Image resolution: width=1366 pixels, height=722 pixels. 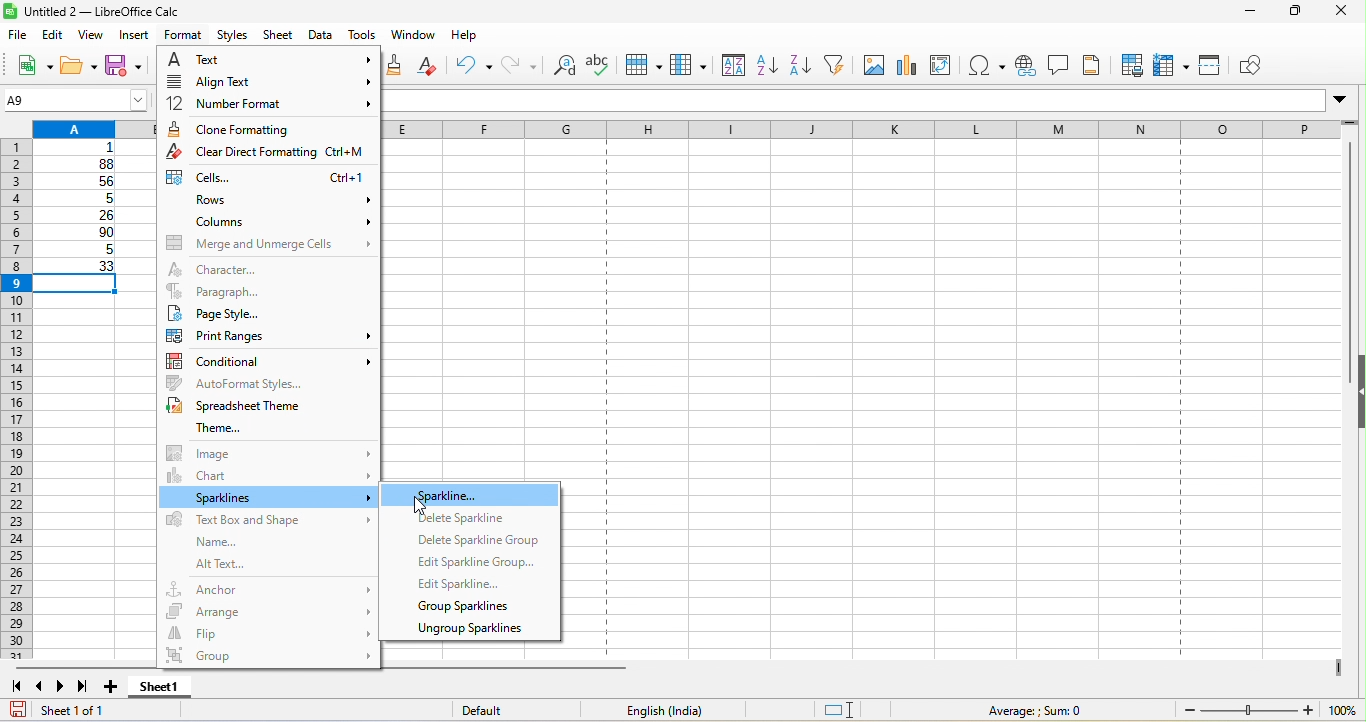 What do you see at coordinates (267, 658) in the screenshot?
I see `group` at bounding box center [267, 658].